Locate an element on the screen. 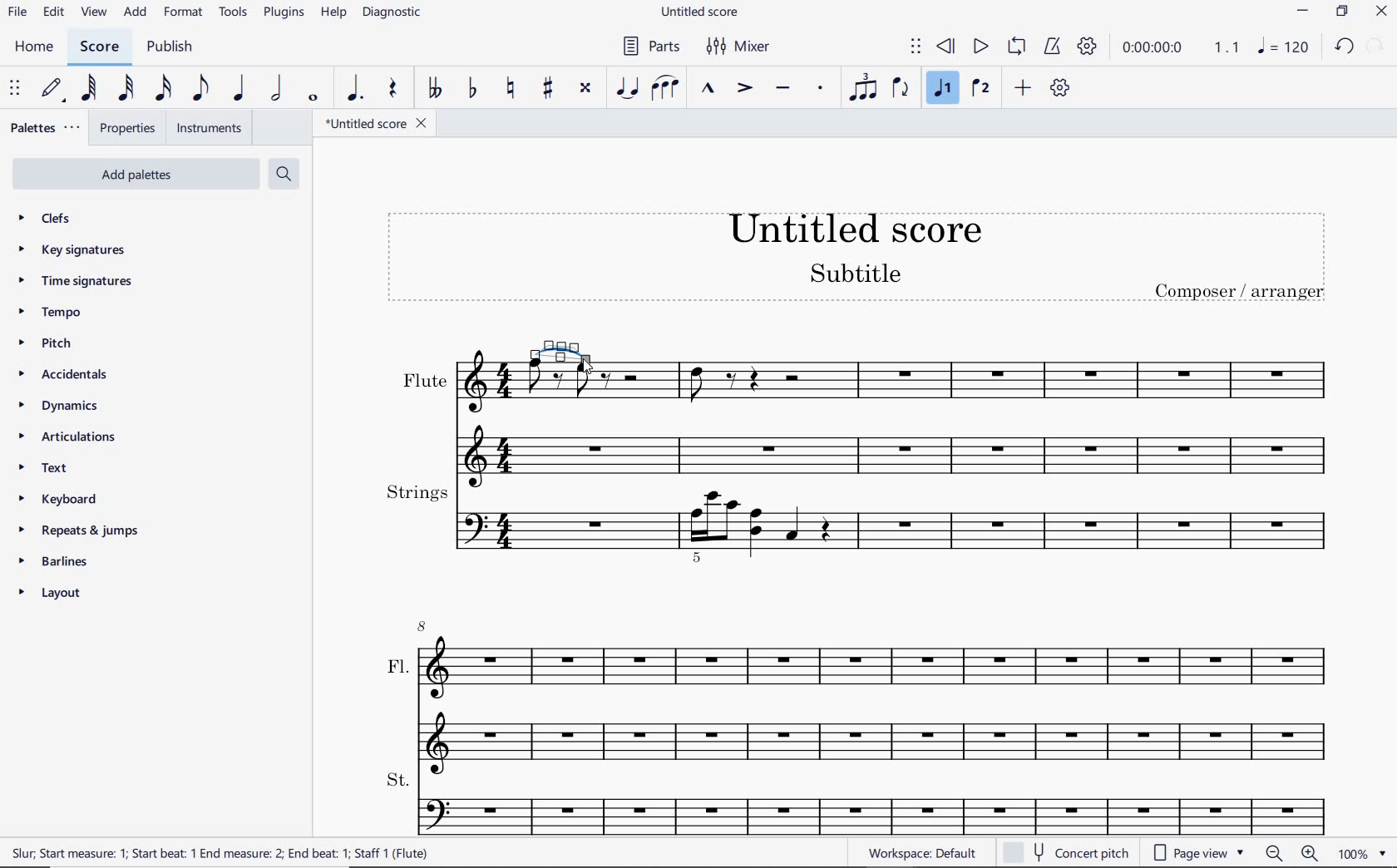  PROPERTIES is located at coordinates (130, 128).